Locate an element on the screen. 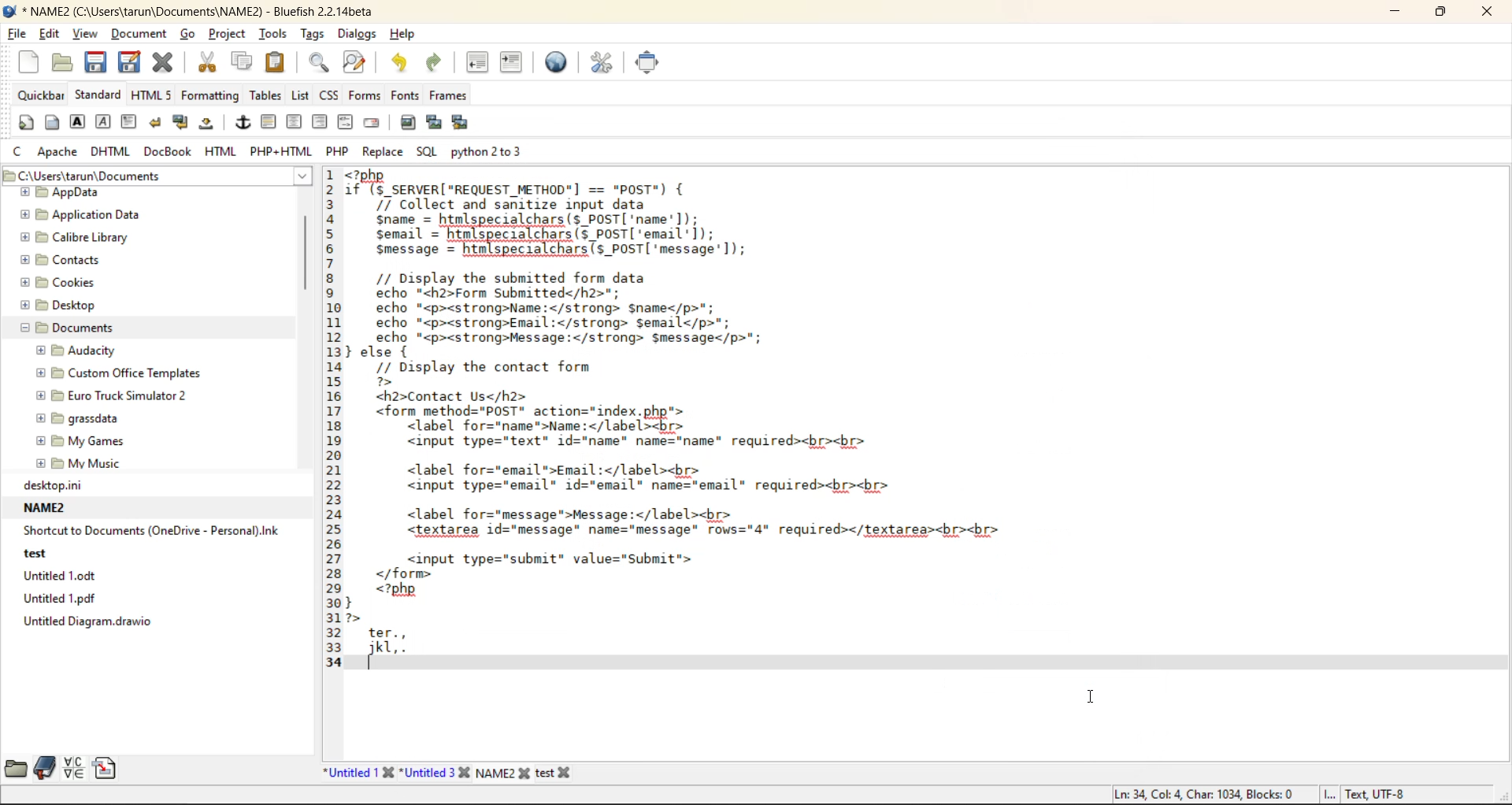 The width and height of the screenshot is (1512, 805). view is located at coordinates (87, 36).